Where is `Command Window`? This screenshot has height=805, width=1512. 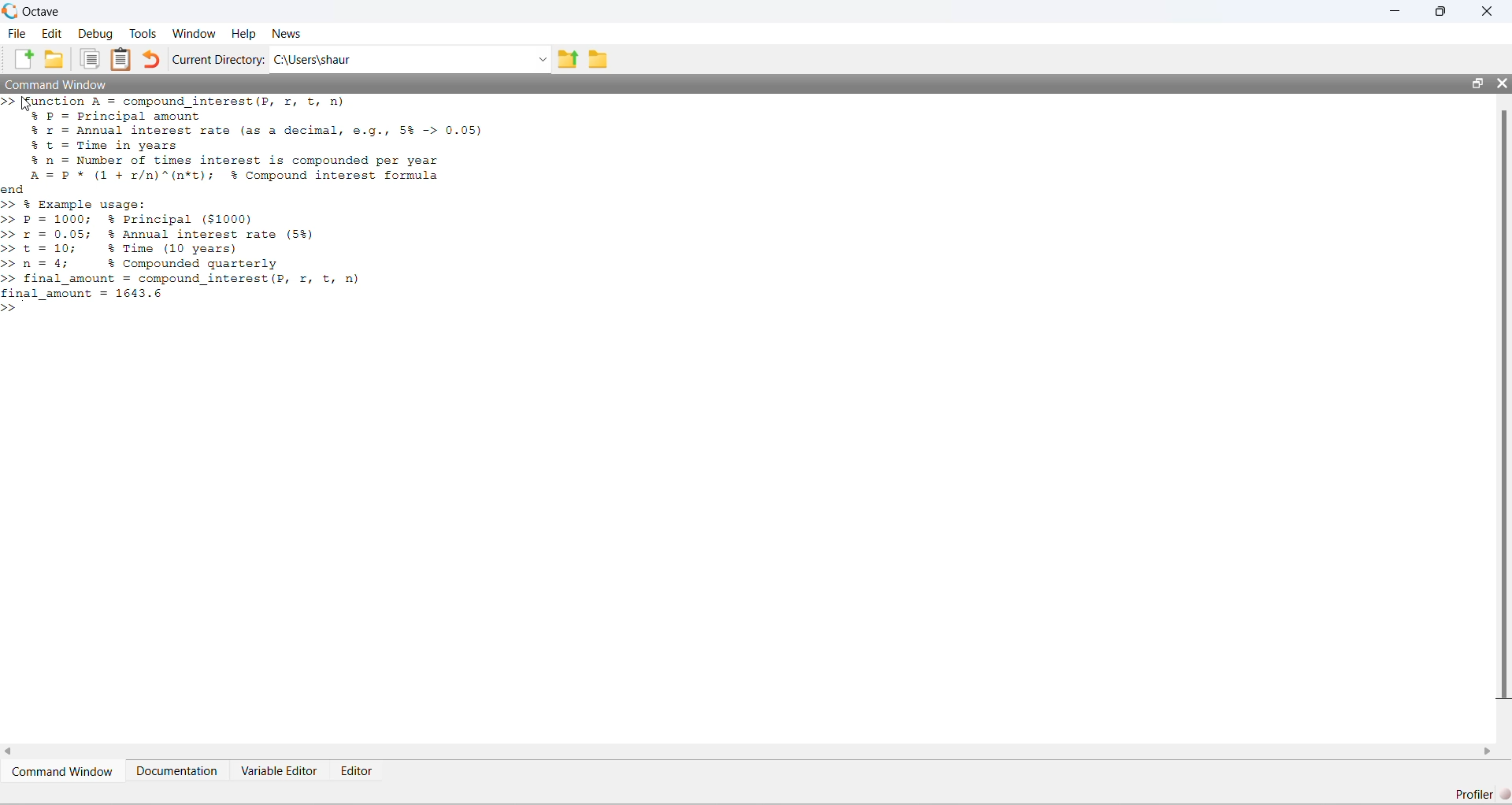
Command Window is located at coordinates (55, 84).